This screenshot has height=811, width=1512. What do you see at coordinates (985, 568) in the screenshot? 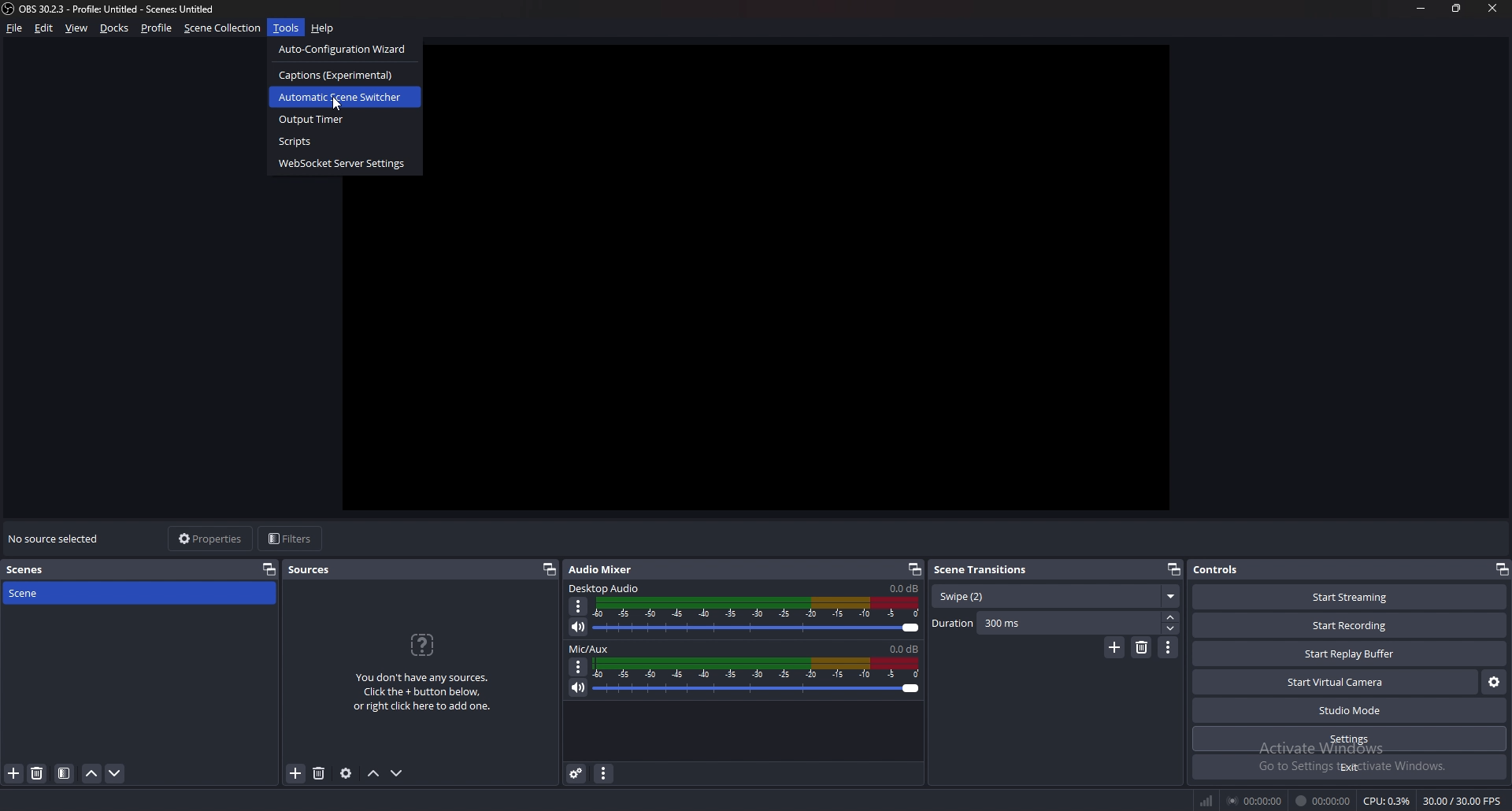
I see `scene transitions` at bounding box center [985, 568].